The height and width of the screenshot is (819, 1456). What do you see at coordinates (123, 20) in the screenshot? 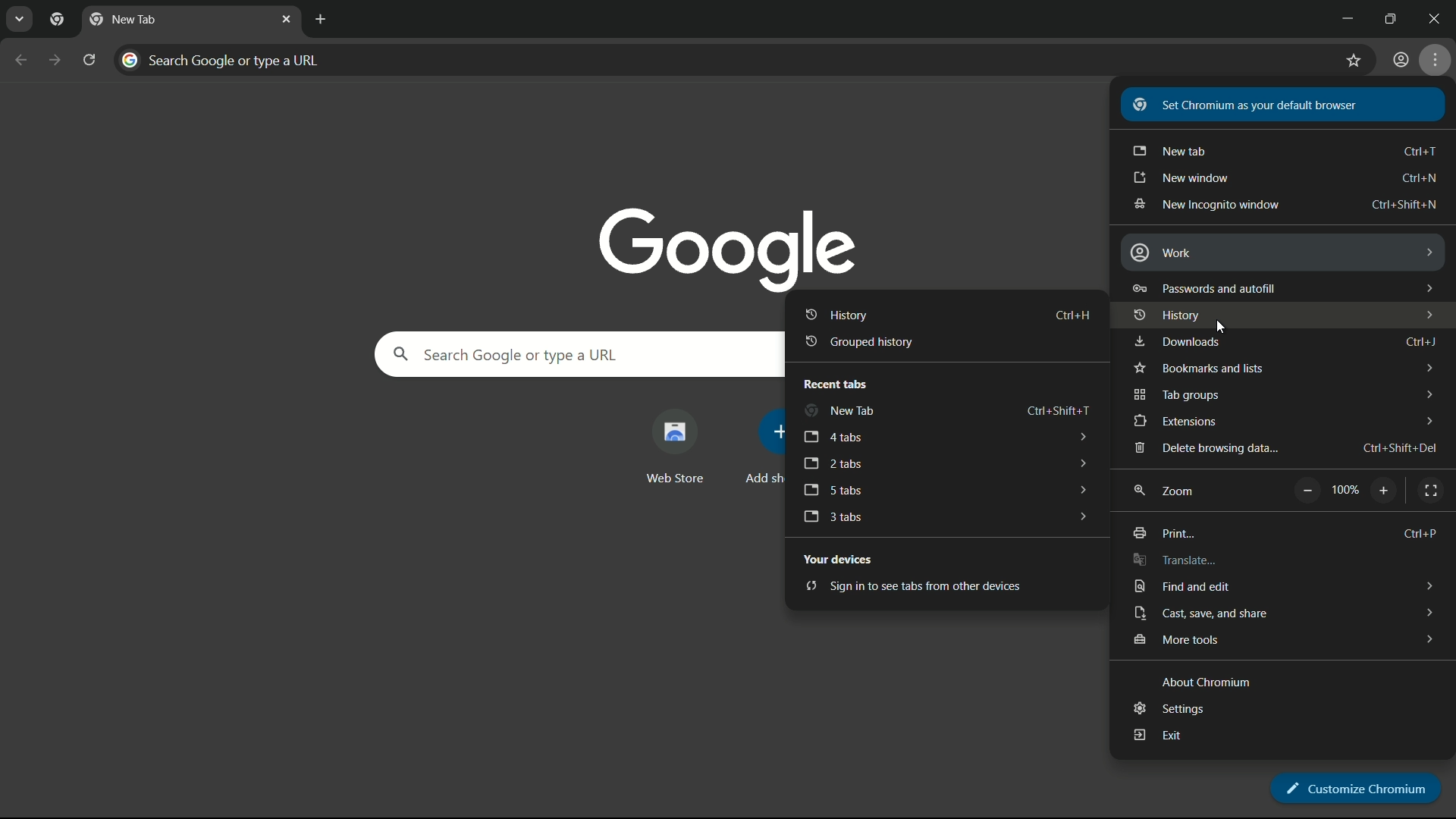
I see `new tab` at bounding box center [123, 20].